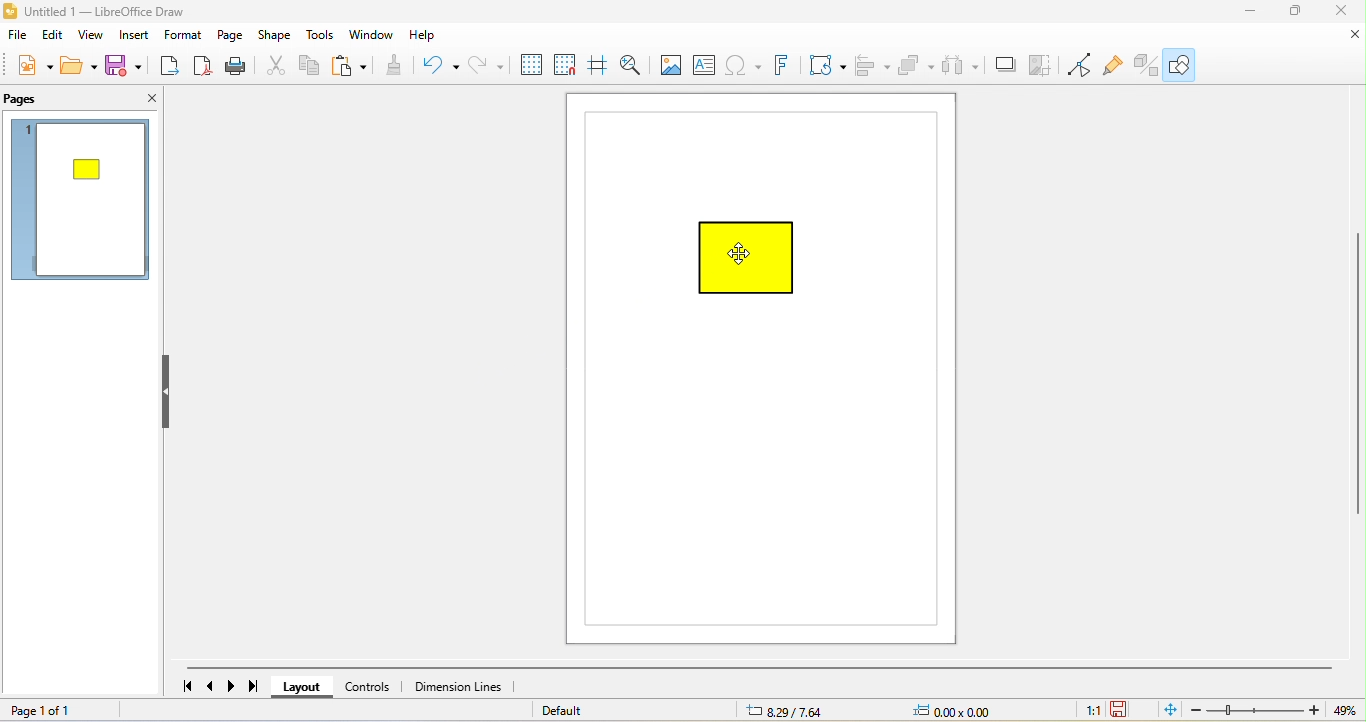  I want to click on snap to grid, so click(568, 65).